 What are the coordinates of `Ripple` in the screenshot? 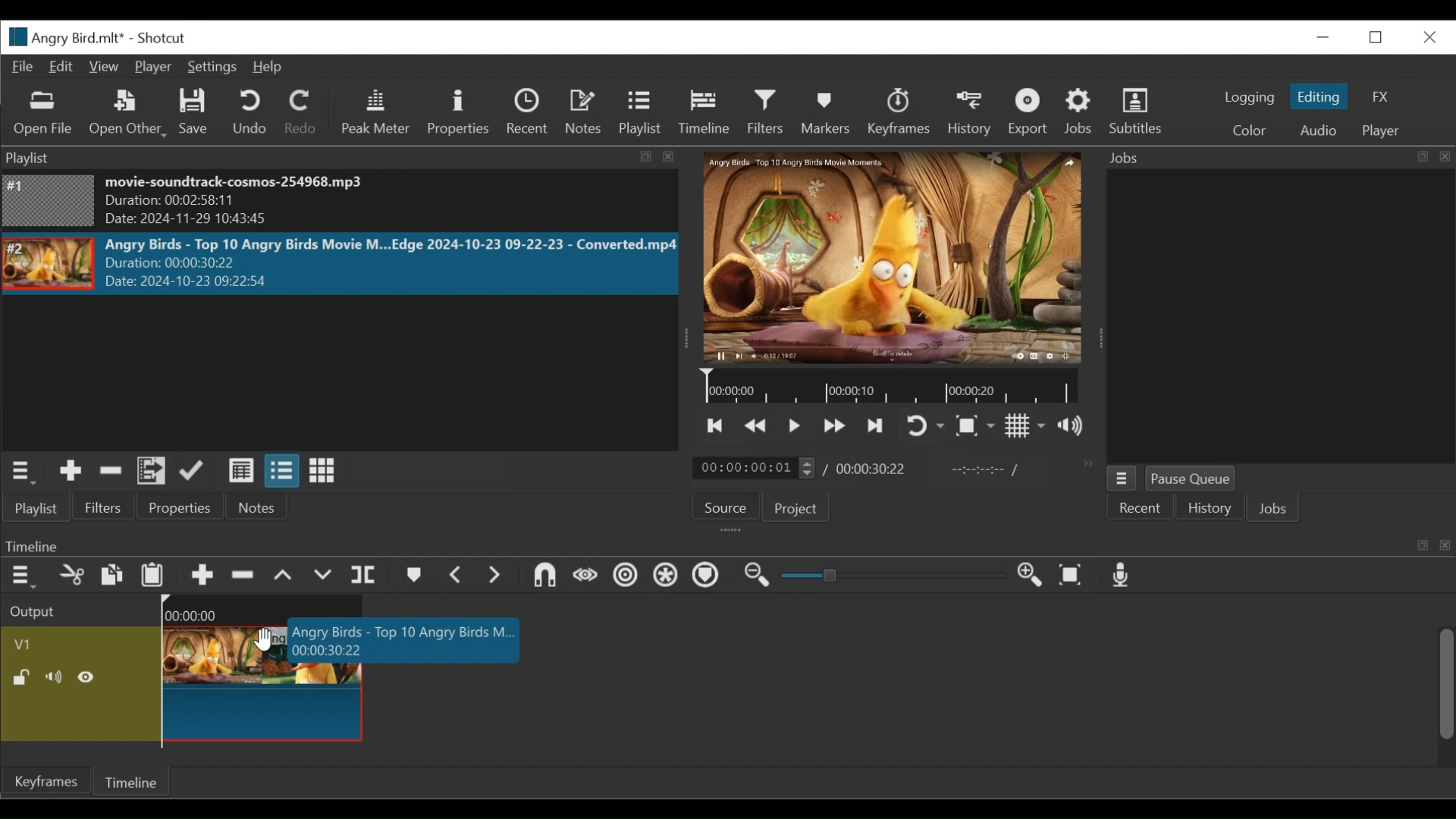 It's located at (625, 578).